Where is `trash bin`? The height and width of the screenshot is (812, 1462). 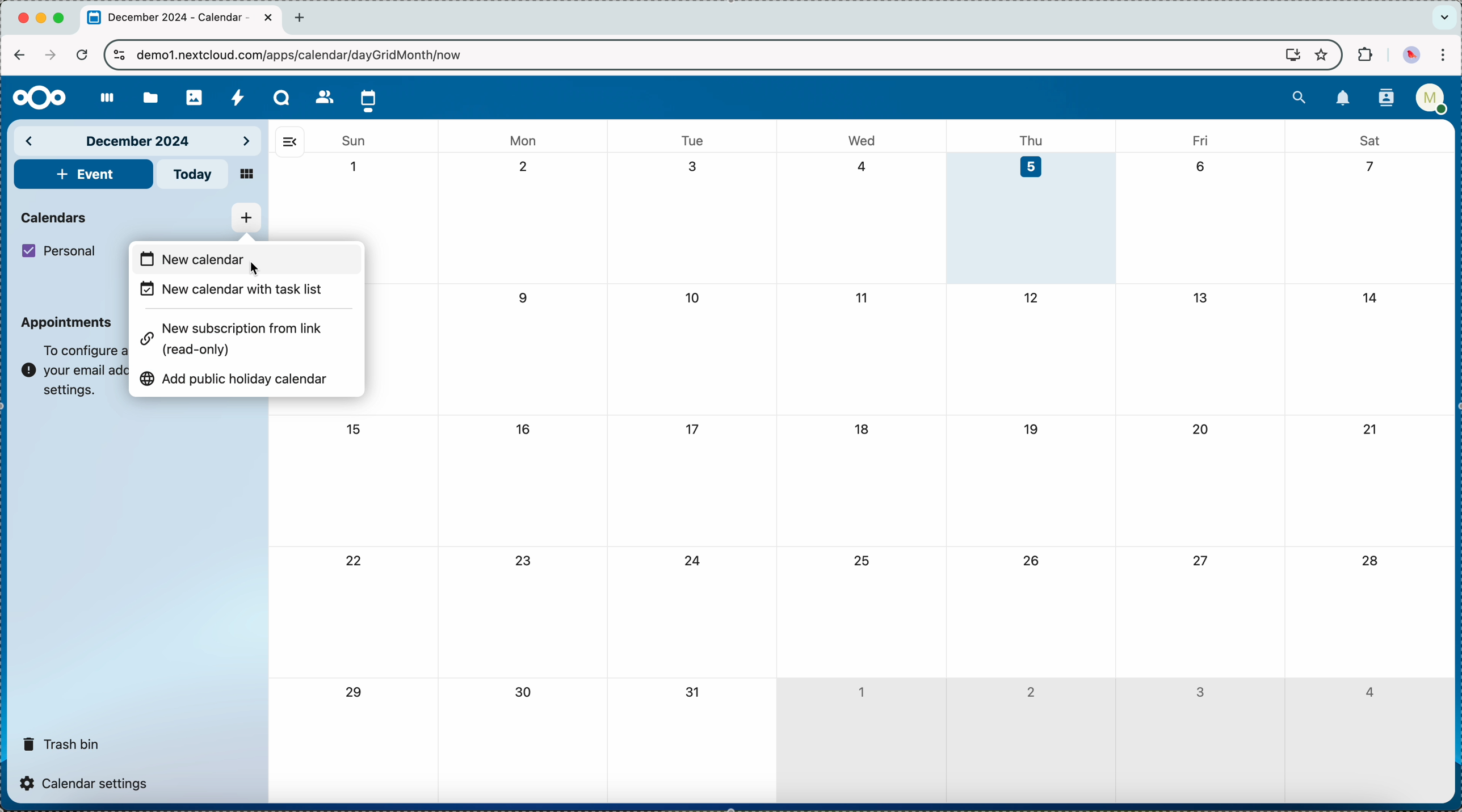
trash bin is located at coordinates (62, 740).